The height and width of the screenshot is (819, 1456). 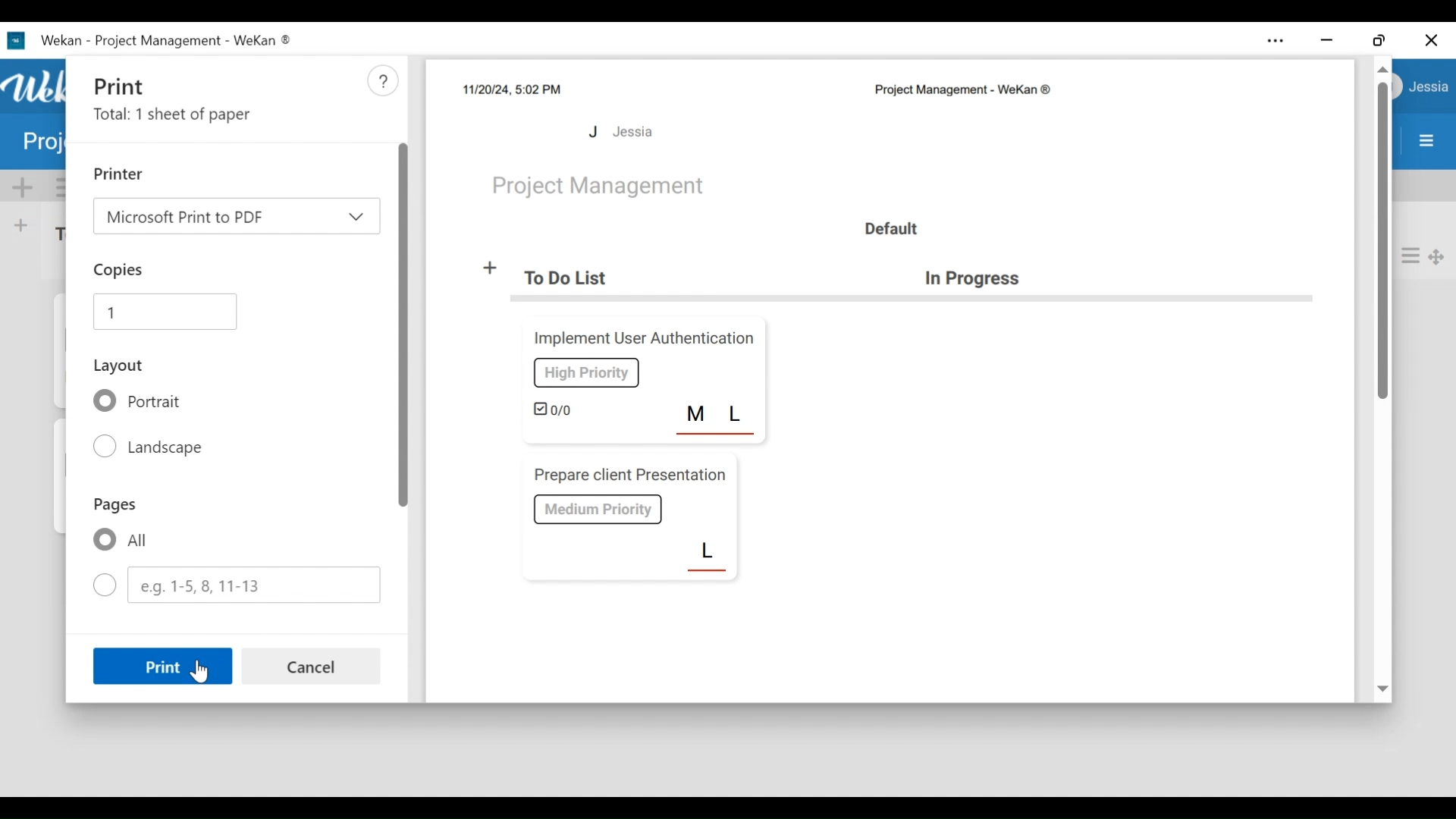 What do you see at coordinates (133, 84) in the screenshot?
I see `Print` at bounding box center [133, 84].